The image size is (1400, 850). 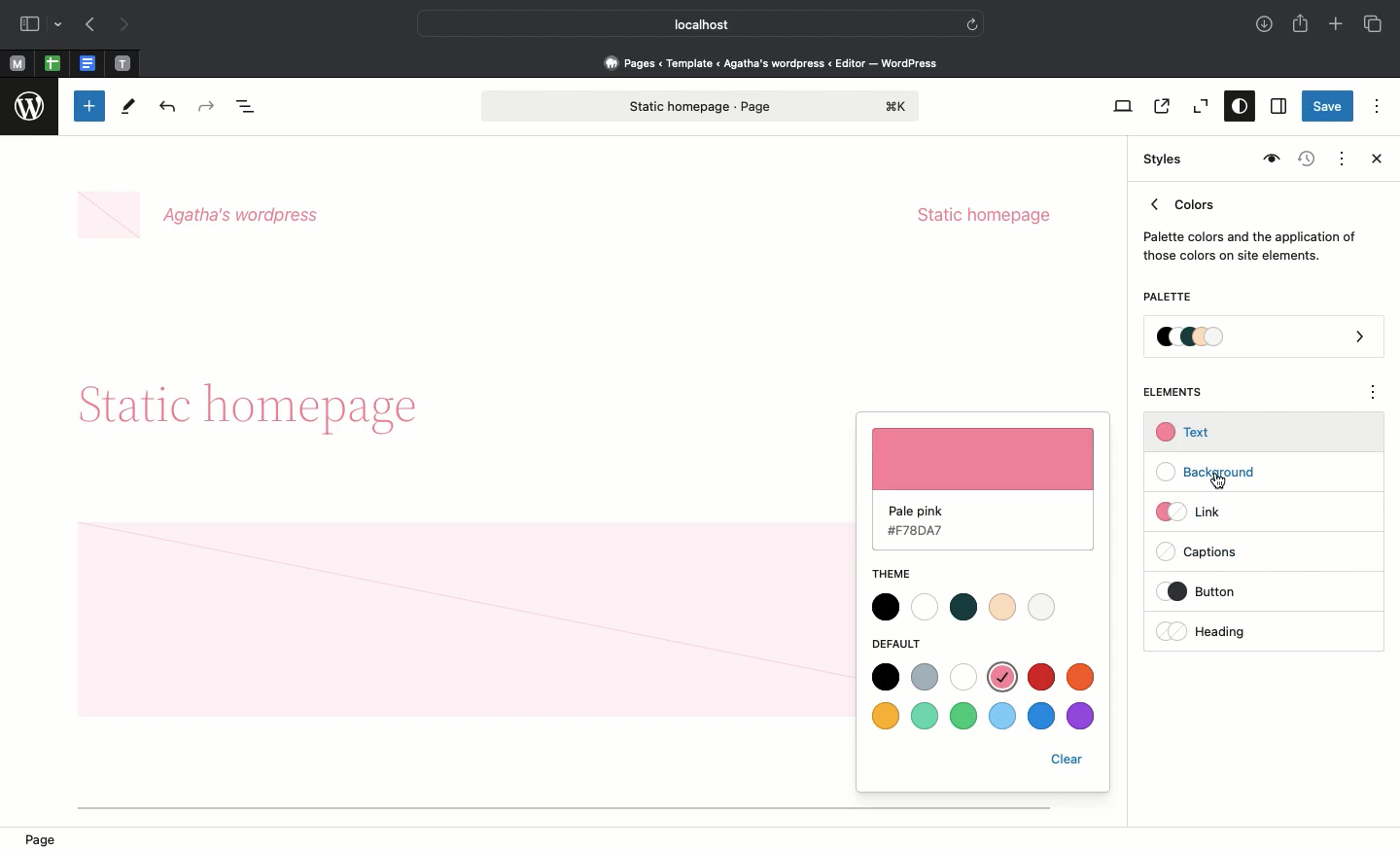 What do you see at coordinates (1160, 106) in the screenshot?
I see `View page` at bounding box center [1160, 106].